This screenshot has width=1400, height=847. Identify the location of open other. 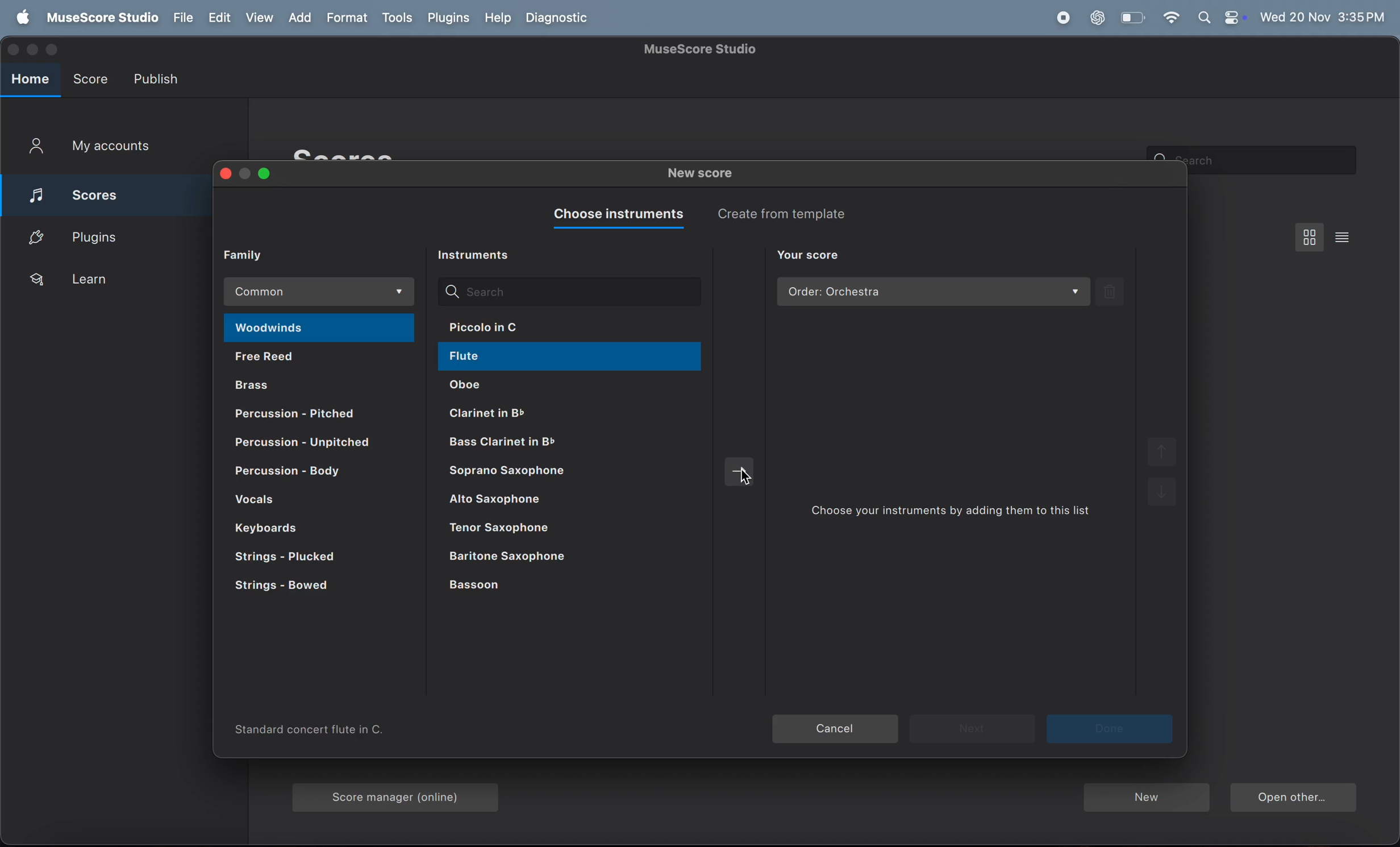
(1293, 799).